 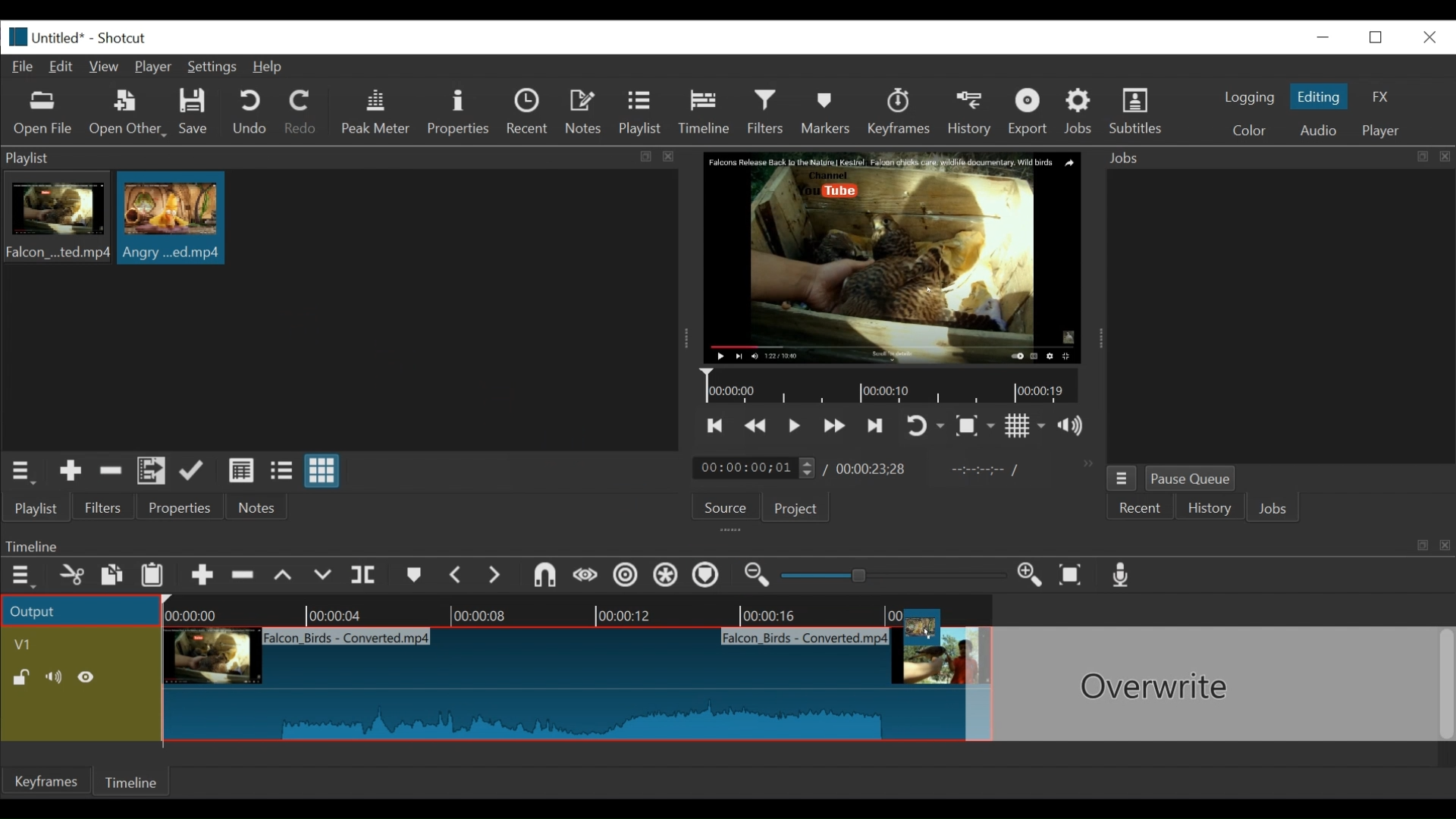 I want to click on FX, so click(x=1381, y=97).